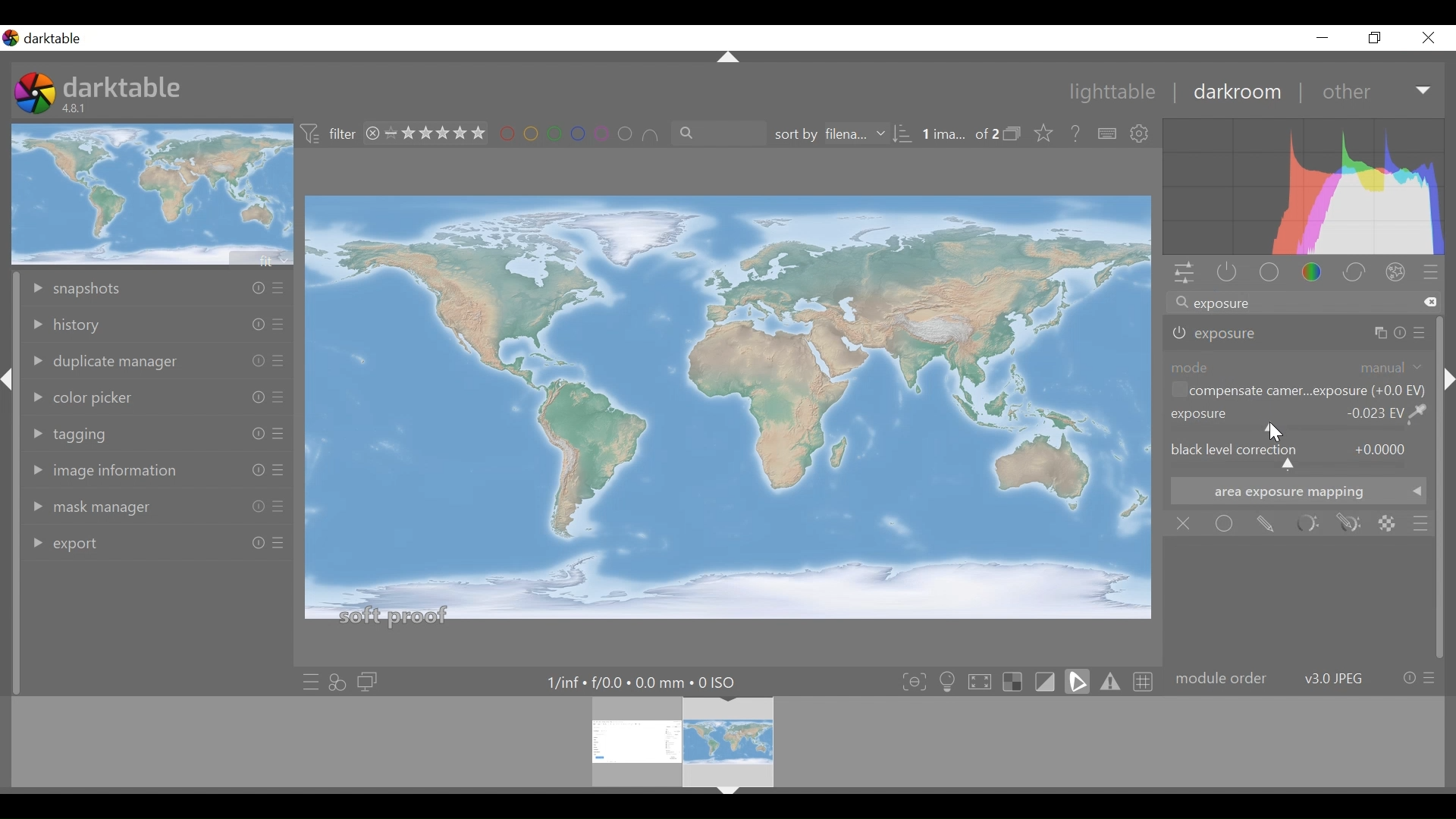  What do you see at coordinates (36, 95) in the screenshot?
I see `Darktable Desktop Icon` at bounding box center [36, 95].